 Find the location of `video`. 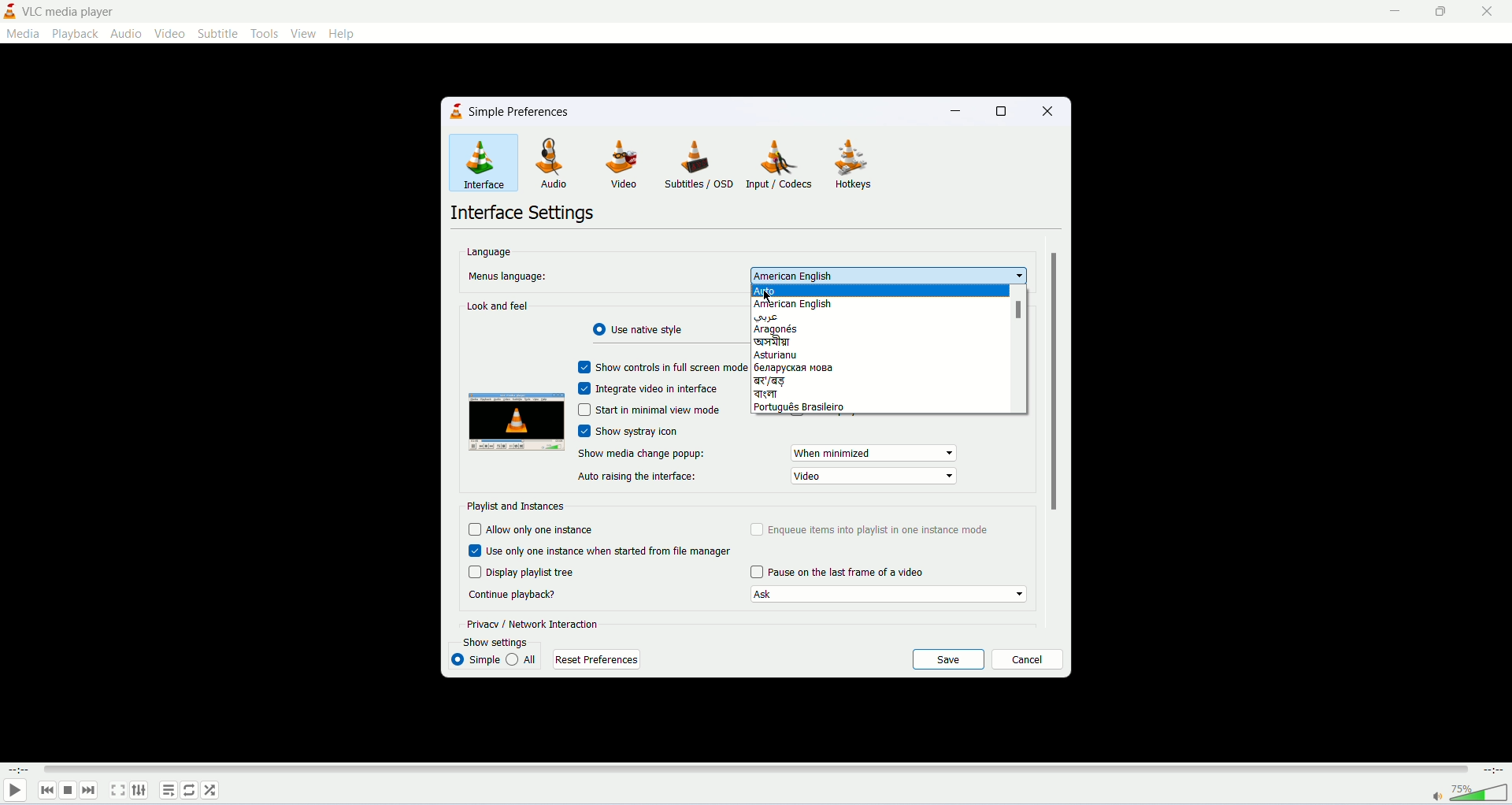

video is located at coordinates (619, 164).